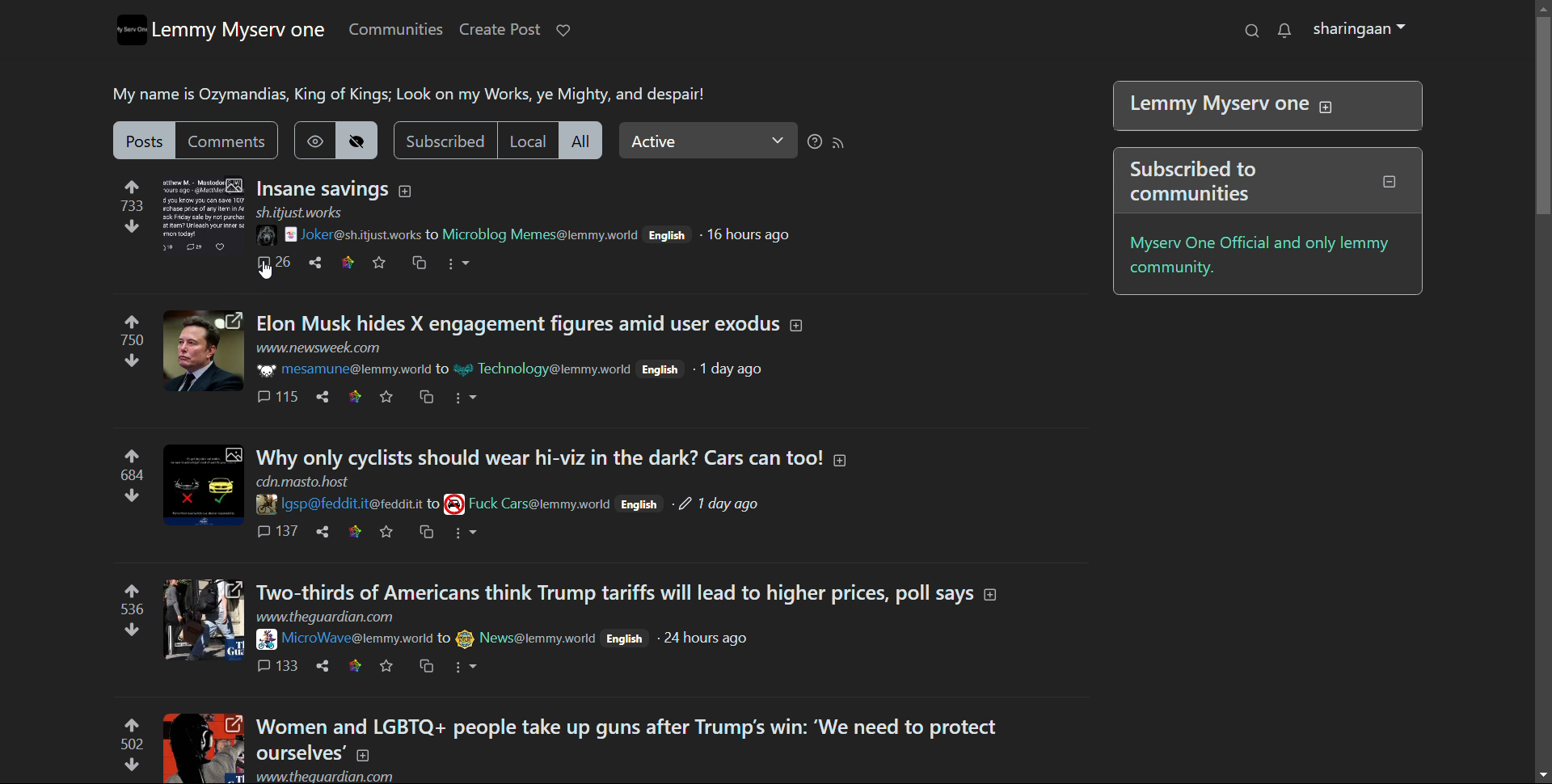 The width and height of the screenshot is (1552, 784). Describe the element at coordinates (459, 264) in the screenshot. I see `options` at that location.